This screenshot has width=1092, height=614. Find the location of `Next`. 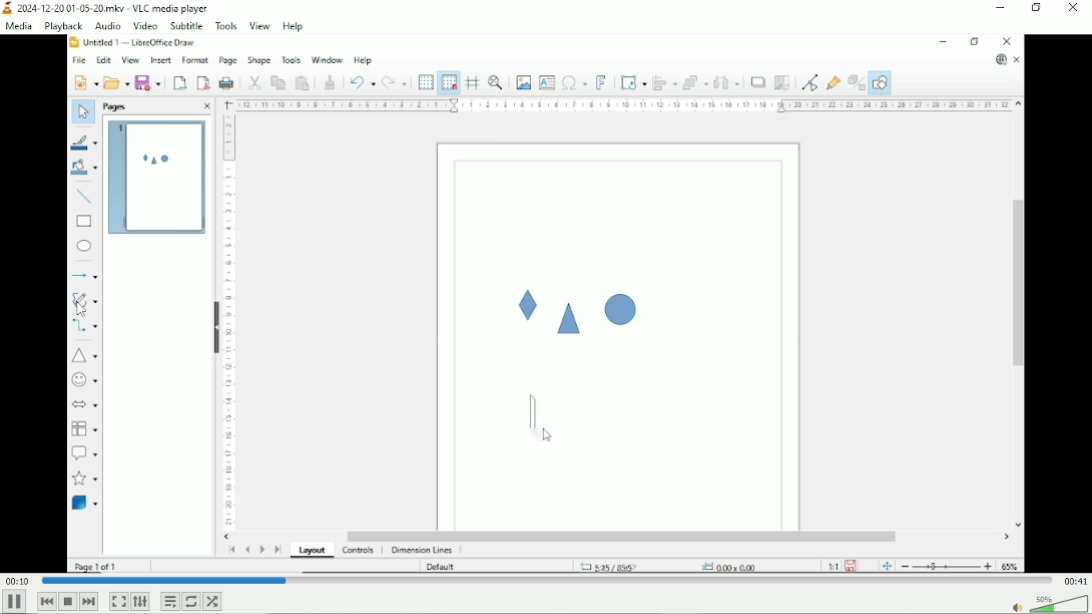

Next is located at coordinates (89, 601).